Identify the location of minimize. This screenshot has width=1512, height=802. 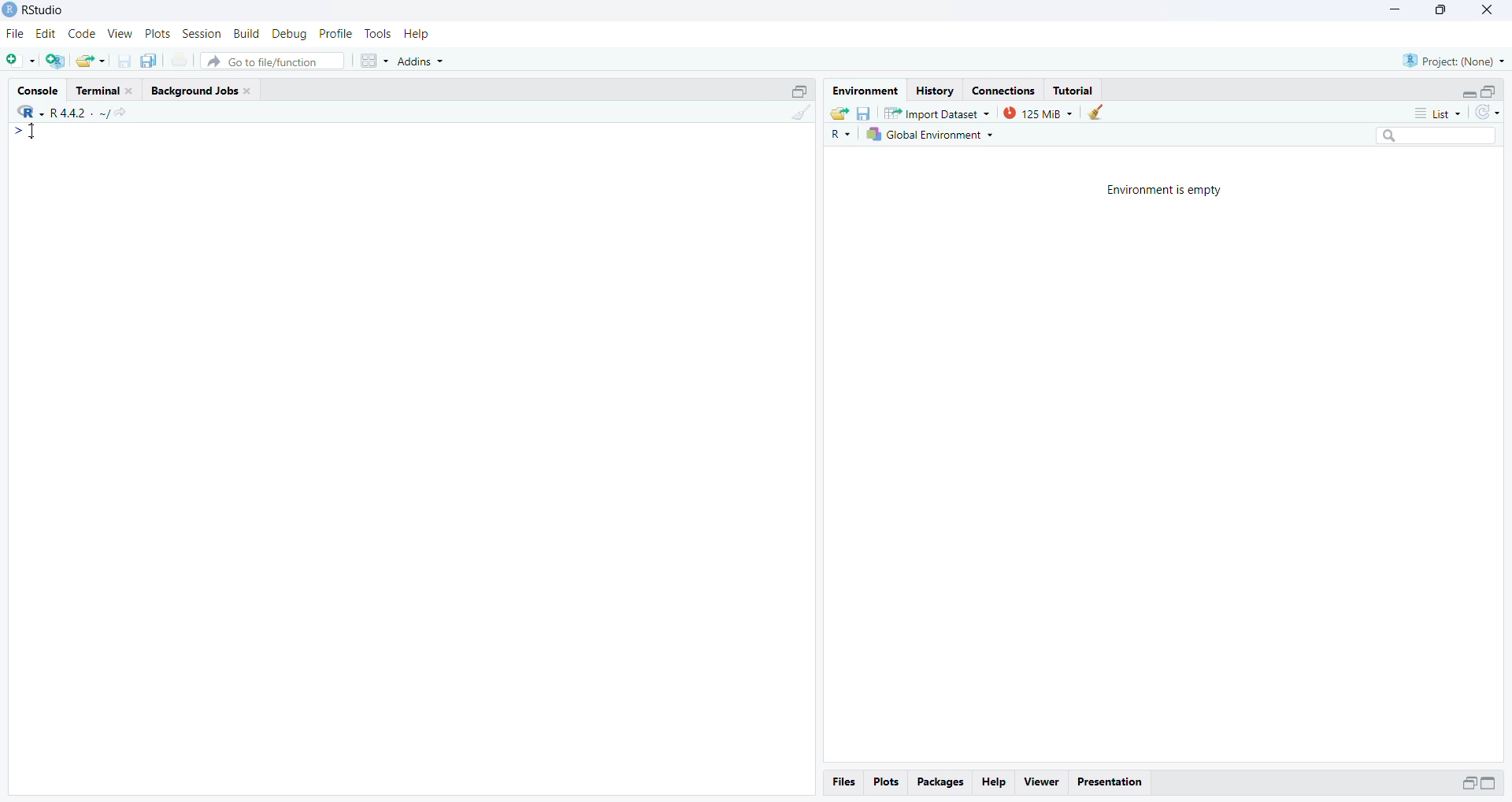
(1396, 9).